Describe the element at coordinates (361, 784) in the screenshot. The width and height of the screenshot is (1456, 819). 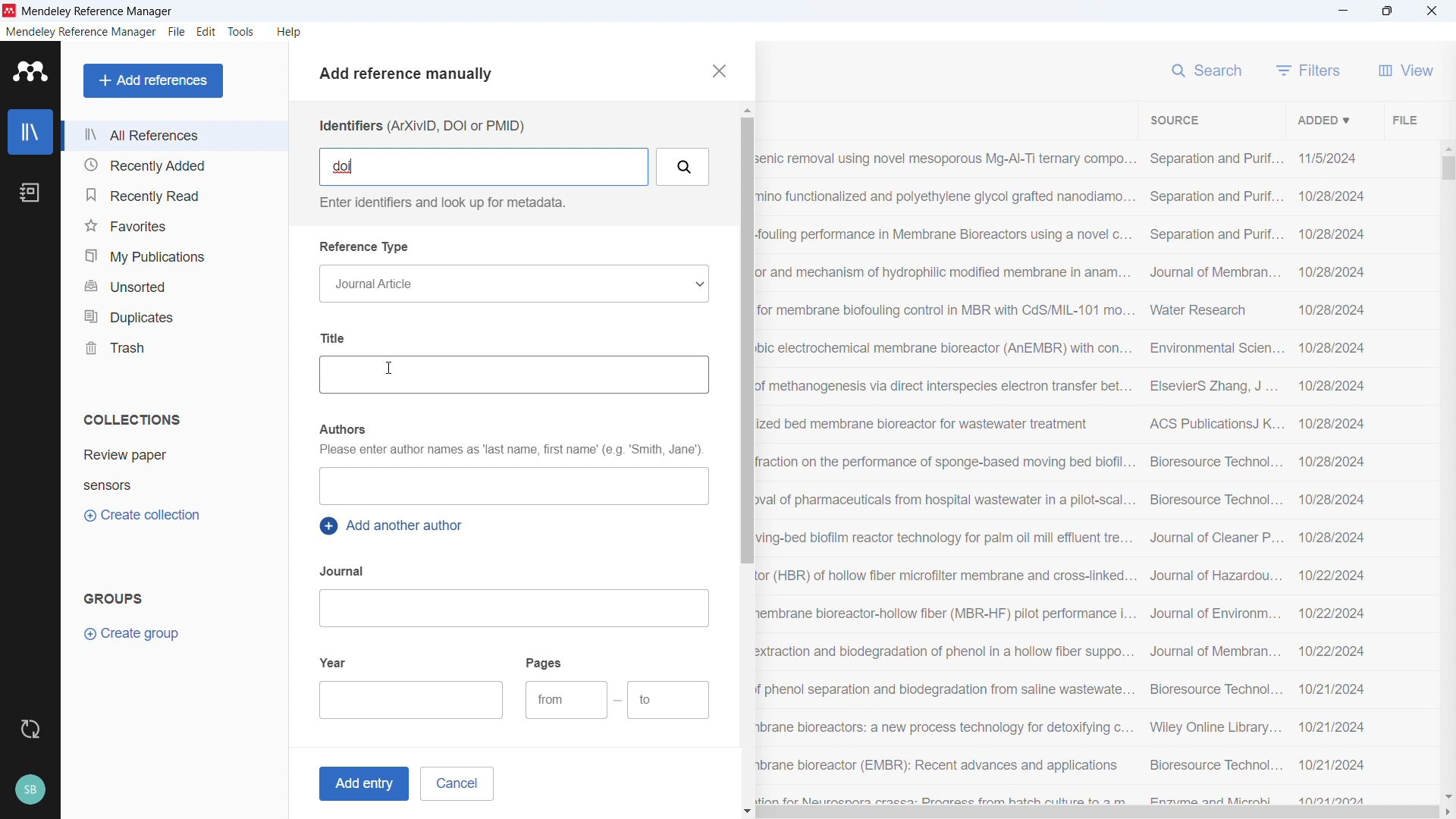
I see `Add entry ` at that location.